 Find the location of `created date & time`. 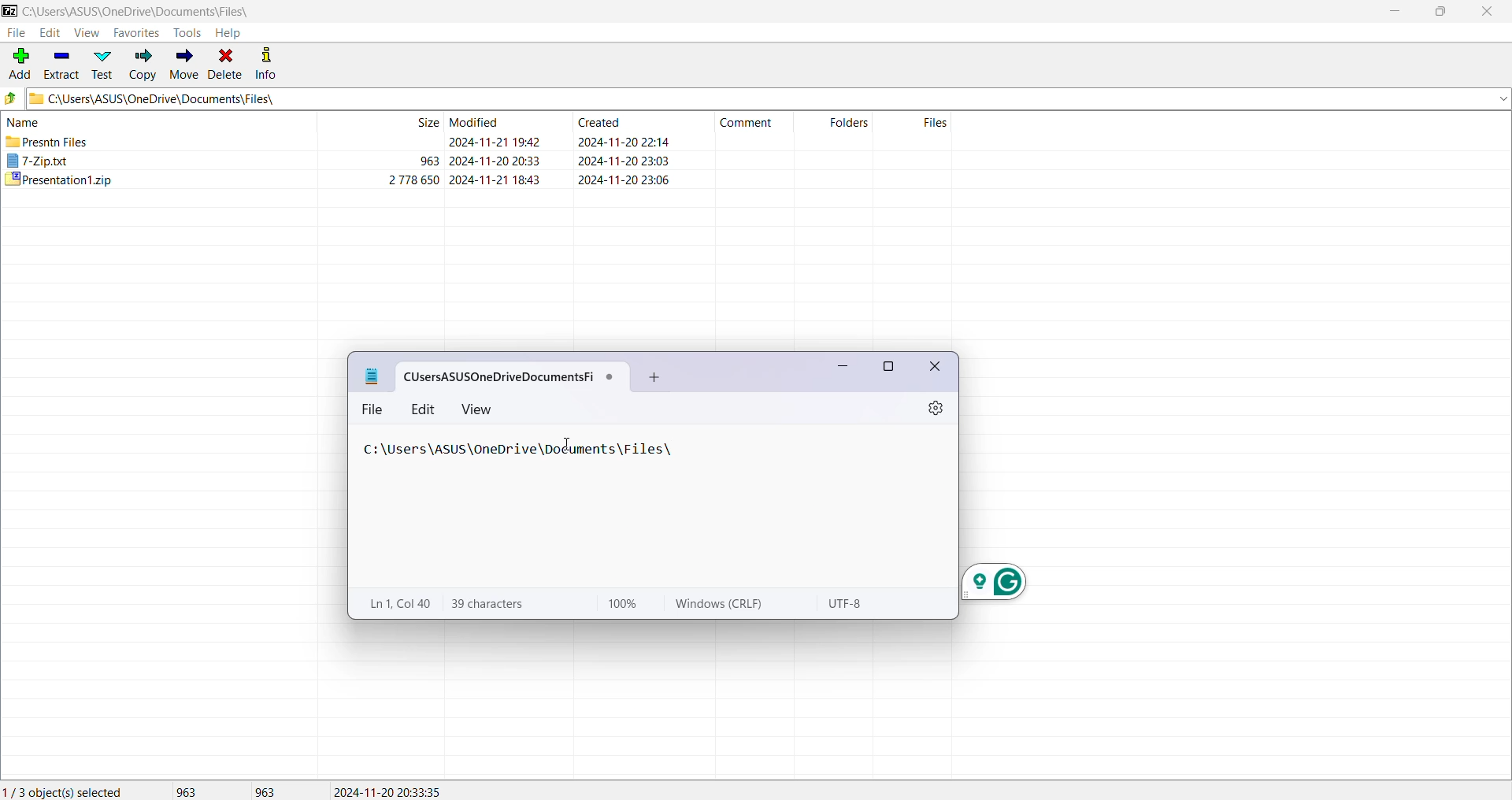

created date & time is located at coordinates (625, 180).